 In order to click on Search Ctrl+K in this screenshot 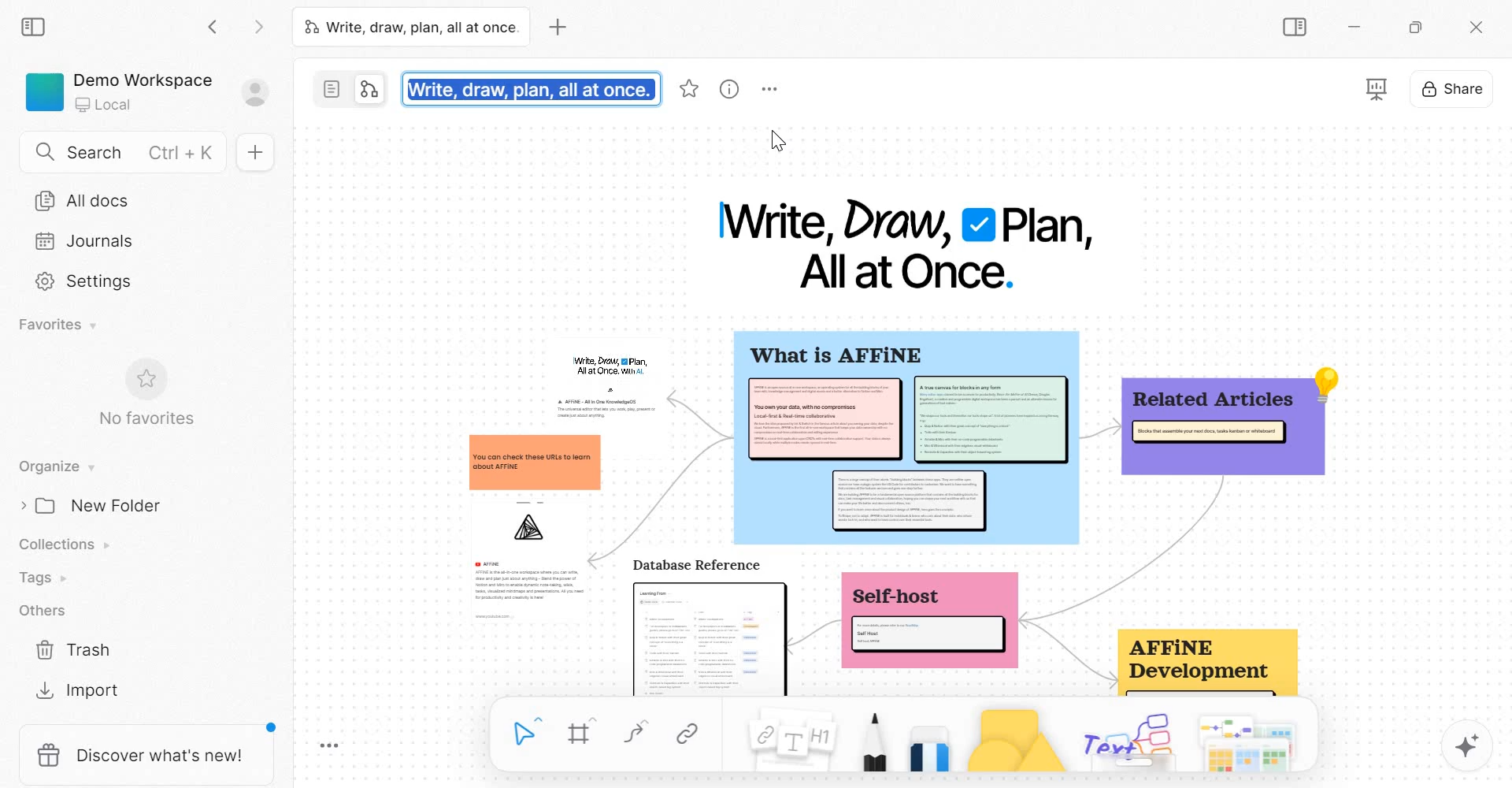, I will do `click(125, 149)`.